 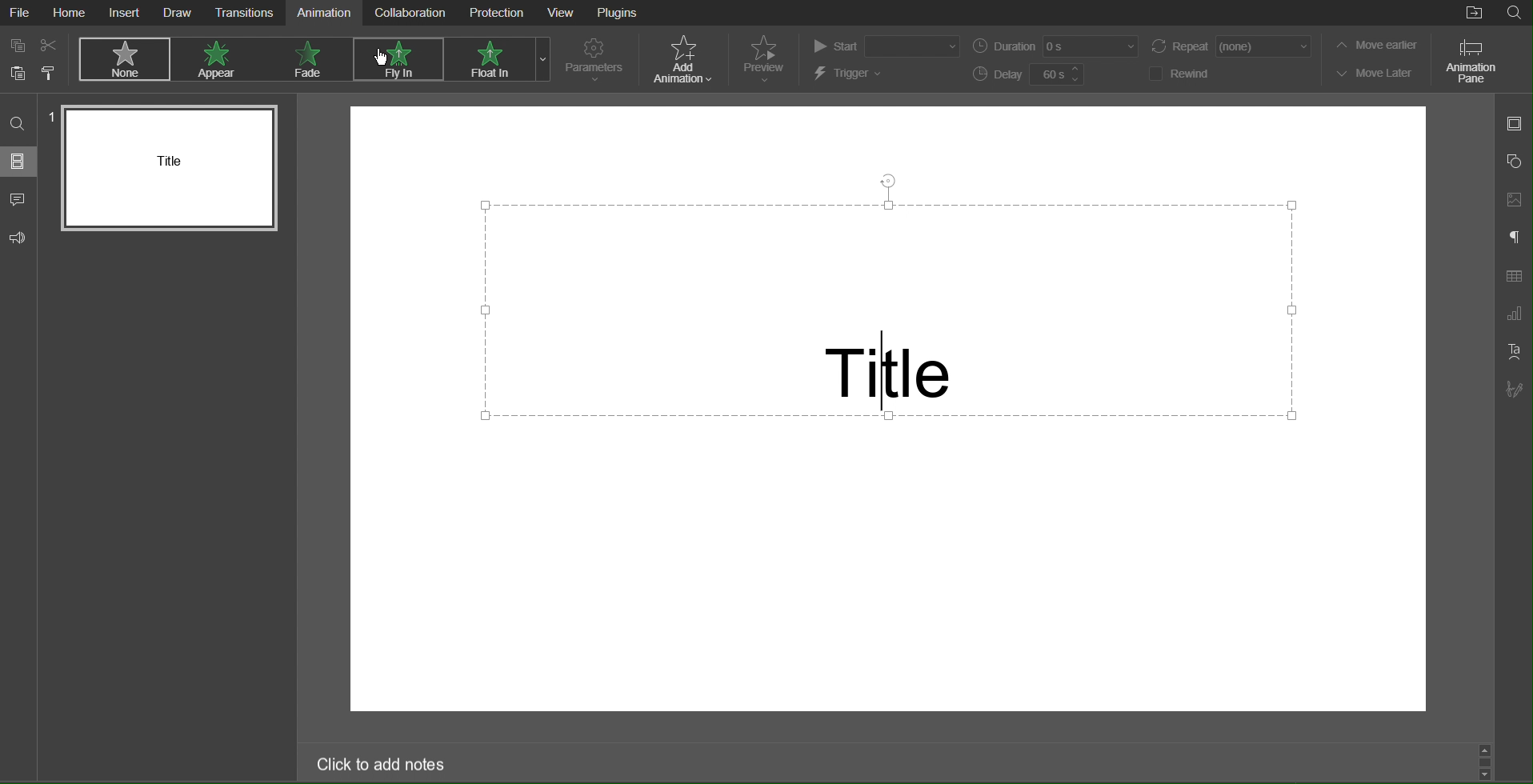 I want to click on Table Settings, so click(x=1514, y=277).